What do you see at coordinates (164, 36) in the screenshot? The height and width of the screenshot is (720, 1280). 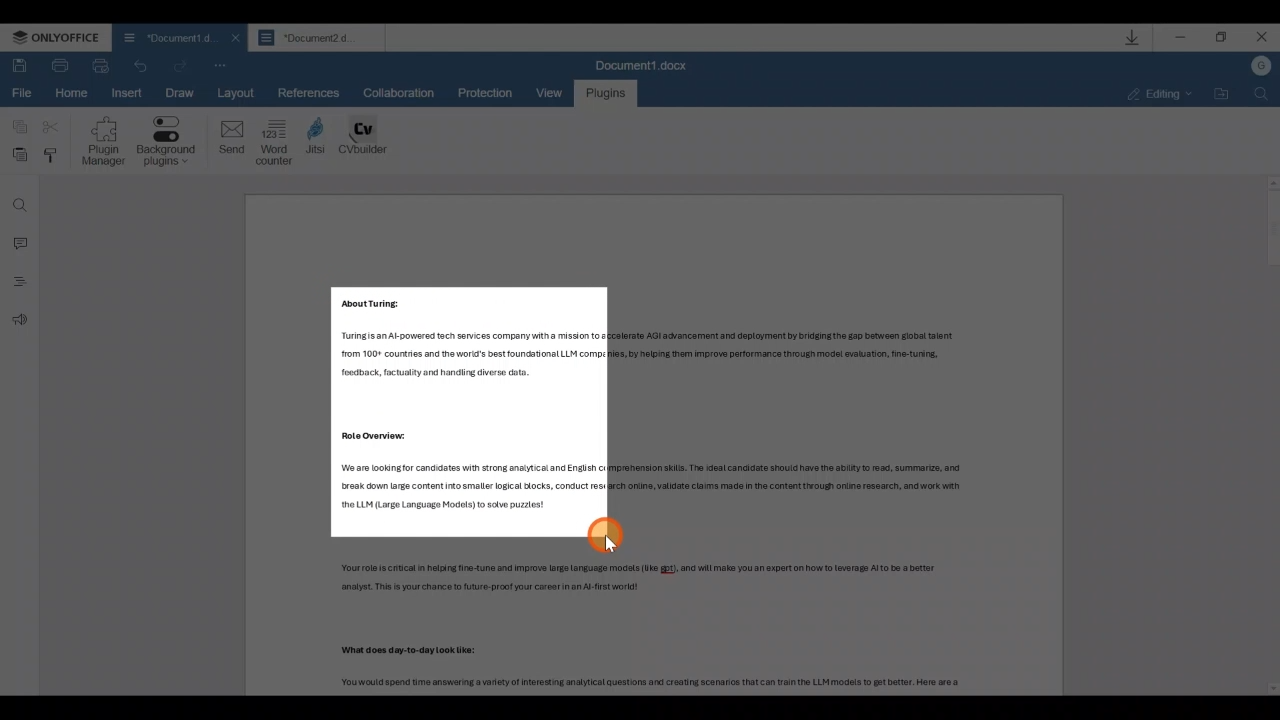 I see `Document1 d.` at bounding box center [164, 36].